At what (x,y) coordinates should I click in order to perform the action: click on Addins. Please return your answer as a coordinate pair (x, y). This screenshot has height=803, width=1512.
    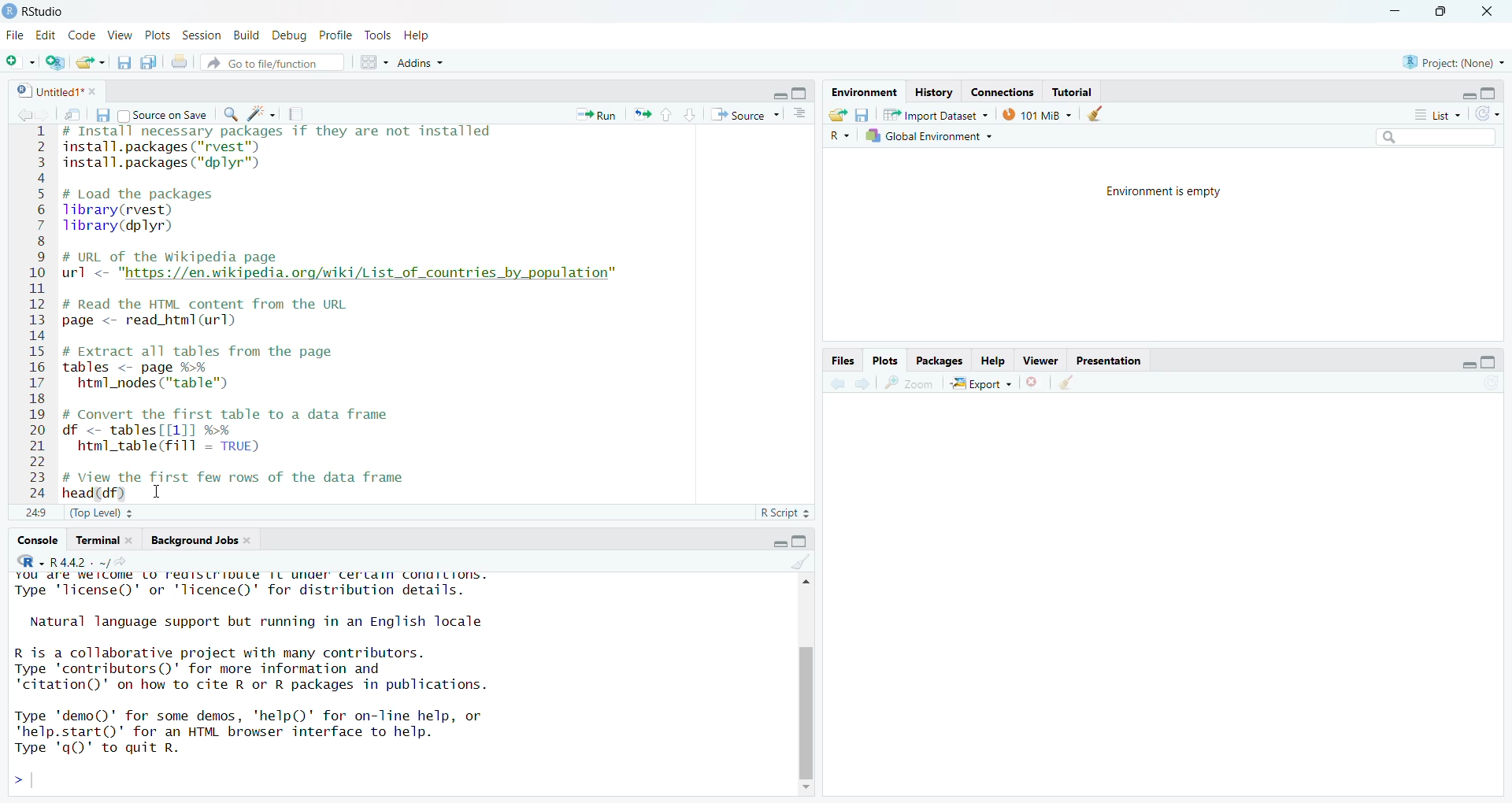
    Looking at the image, I should click on (421, 61).